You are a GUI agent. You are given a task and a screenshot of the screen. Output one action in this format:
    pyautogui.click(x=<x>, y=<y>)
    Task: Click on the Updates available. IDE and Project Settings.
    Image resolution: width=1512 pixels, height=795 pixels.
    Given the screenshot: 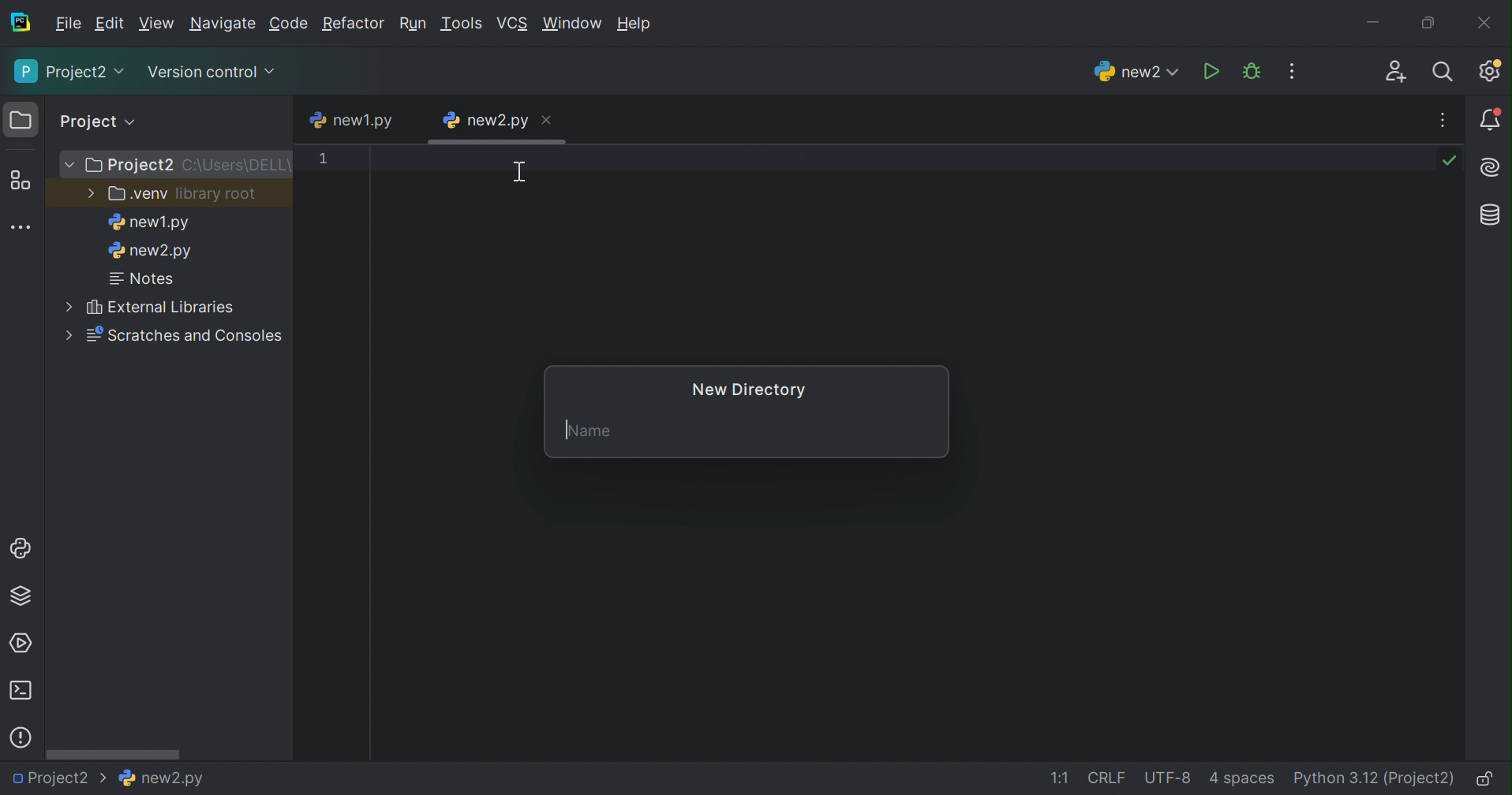 What is the action you would take?
    pyautogui.click(x=1492, y=71)
    